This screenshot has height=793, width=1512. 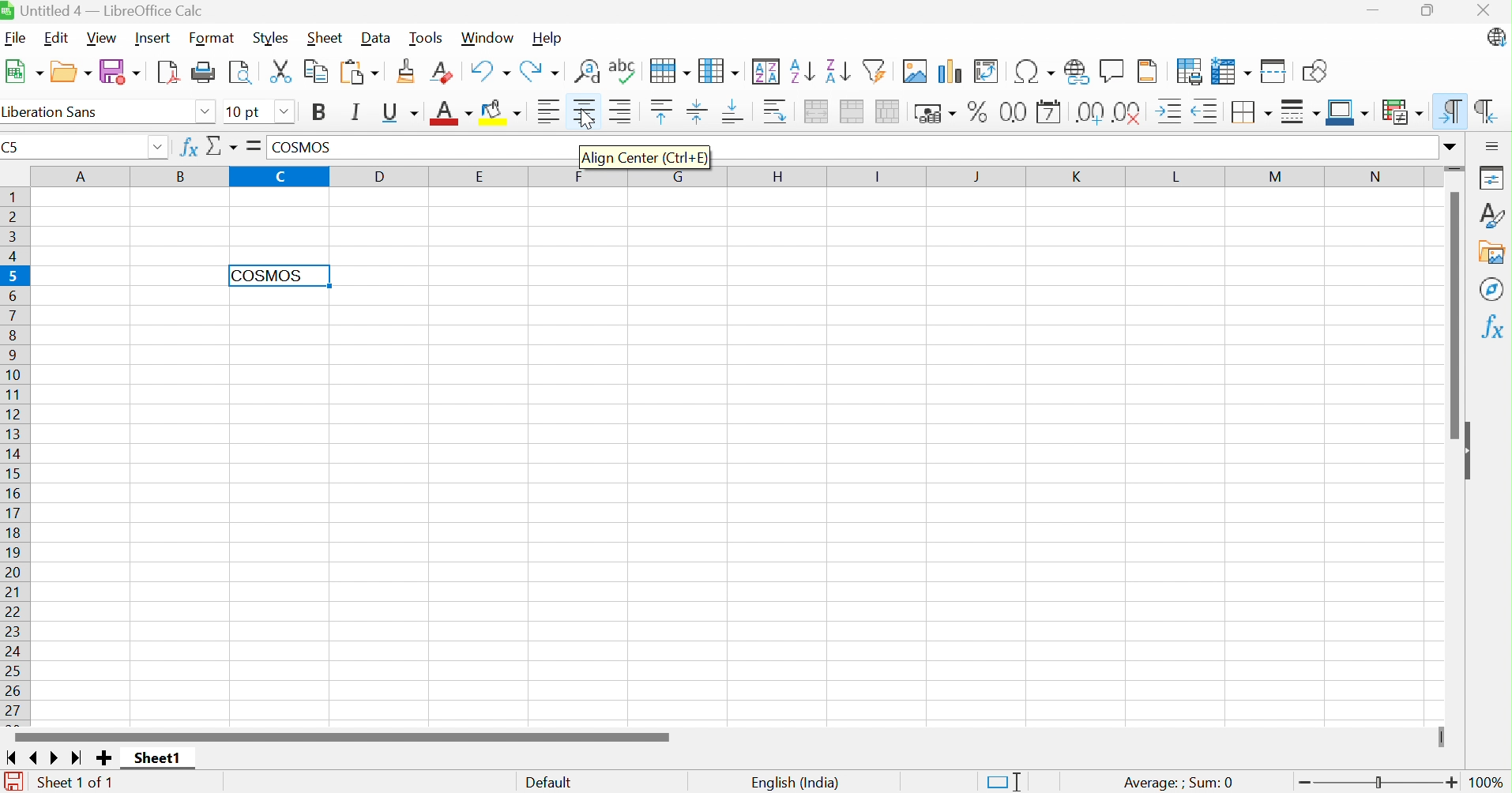 What do you see at coordinates (374, 38) in the screenshot?
I see `Data` at bounding box center [374, 38].